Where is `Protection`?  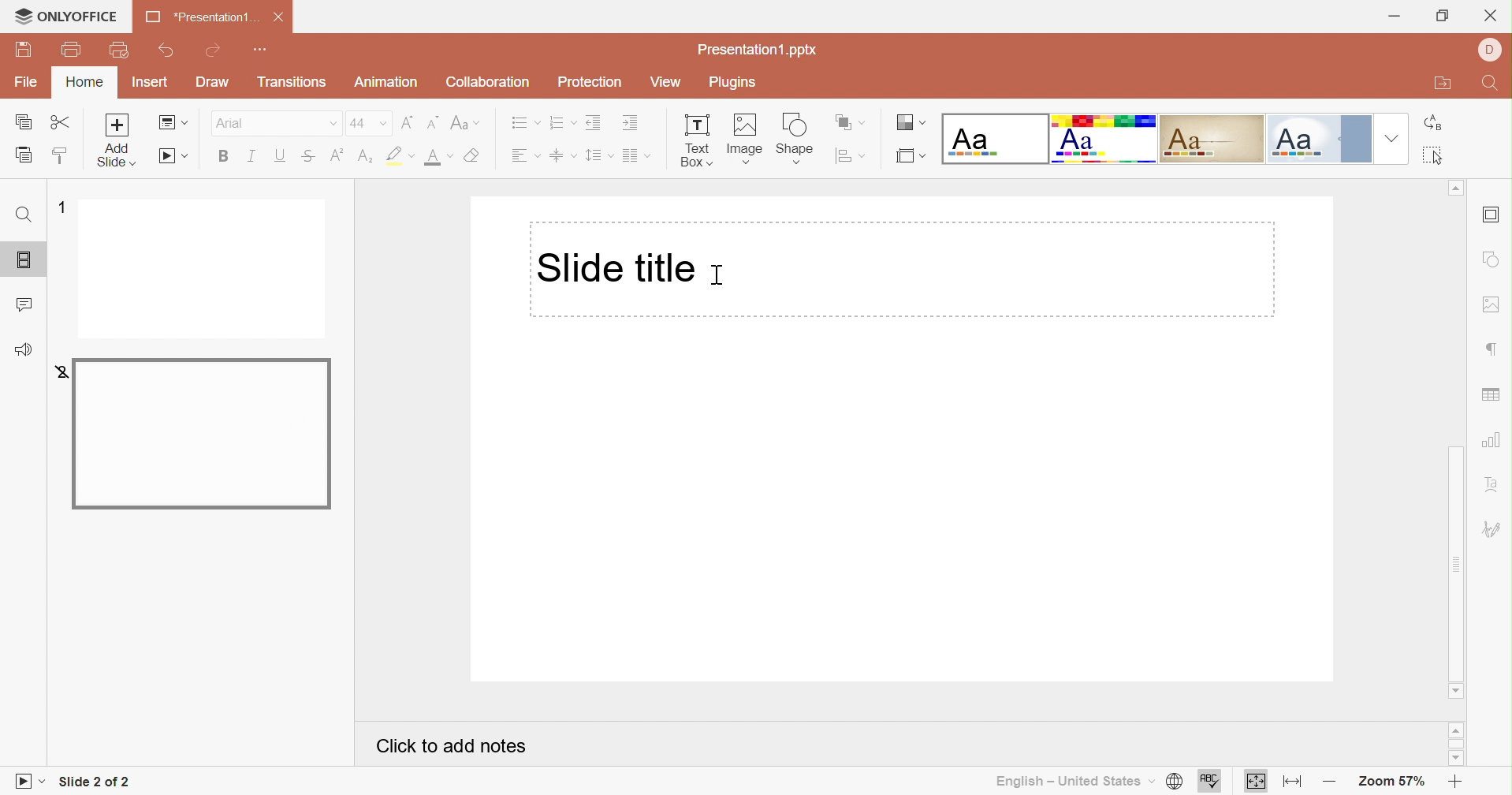 Protection is located at coordinates (588, 80).